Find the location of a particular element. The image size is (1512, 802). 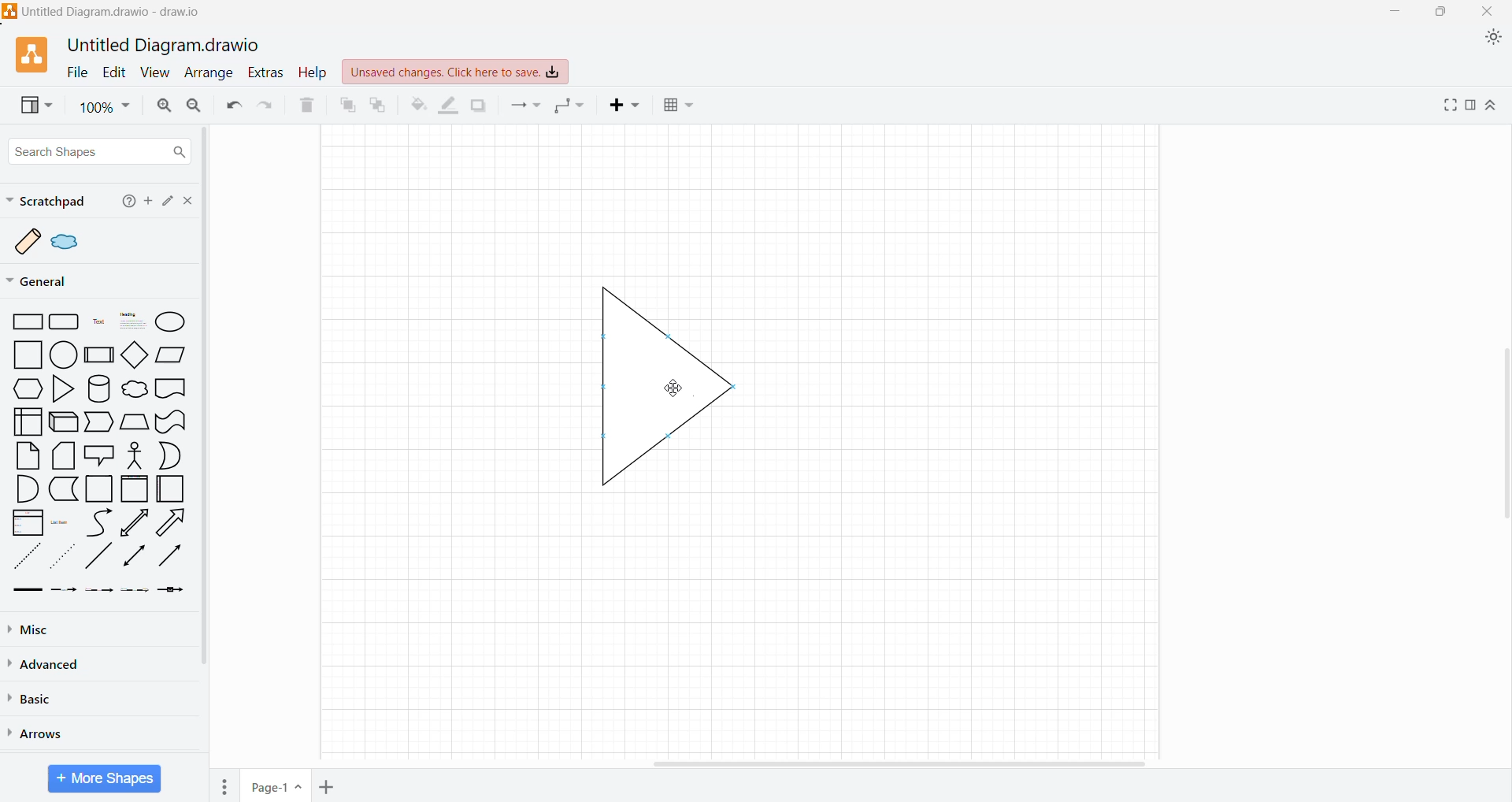

Line Color is located at coordinates (449, 106).